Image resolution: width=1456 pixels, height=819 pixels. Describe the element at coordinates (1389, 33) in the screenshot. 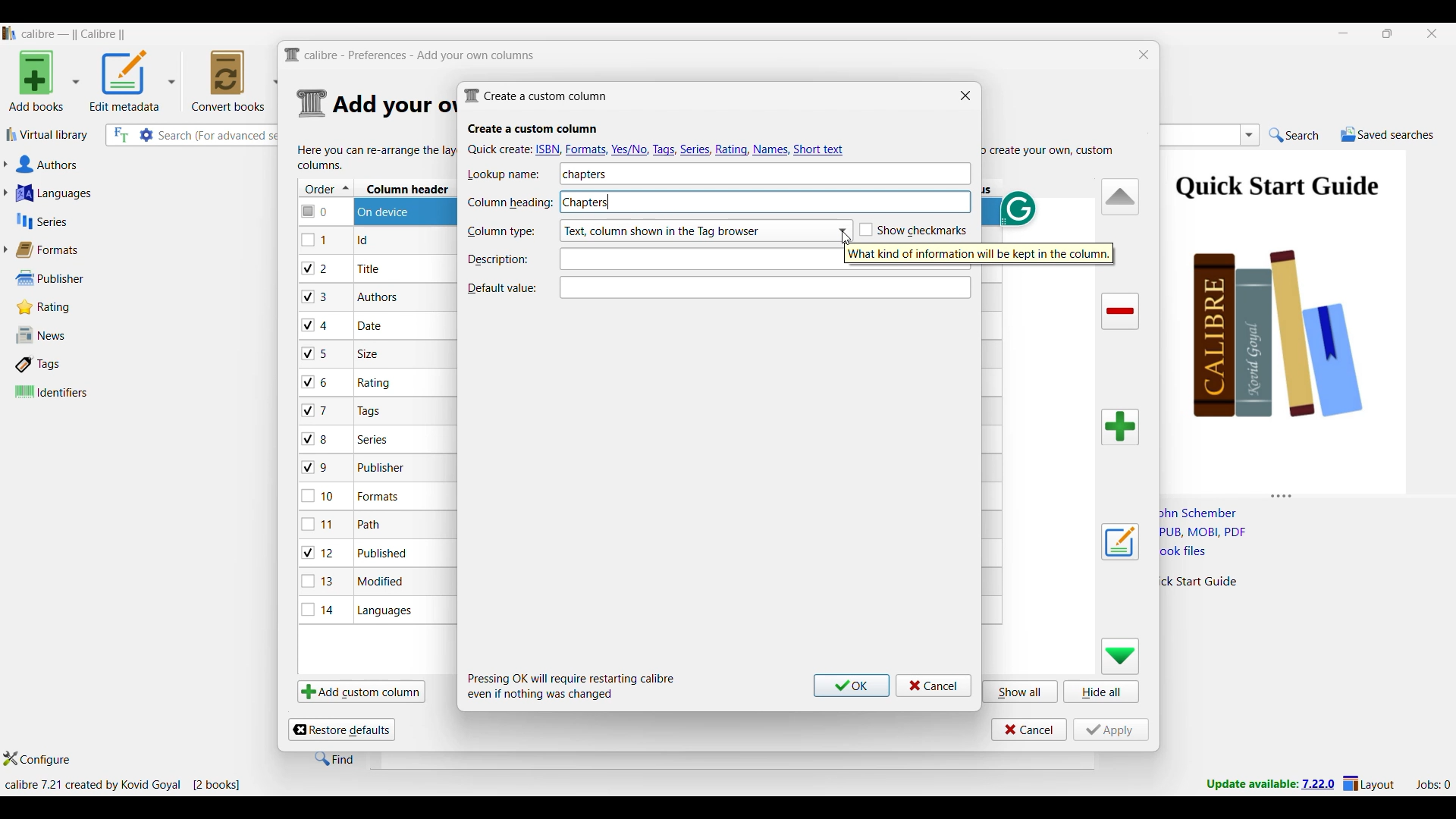

I see `Show interface in a smaller tab` at that location.